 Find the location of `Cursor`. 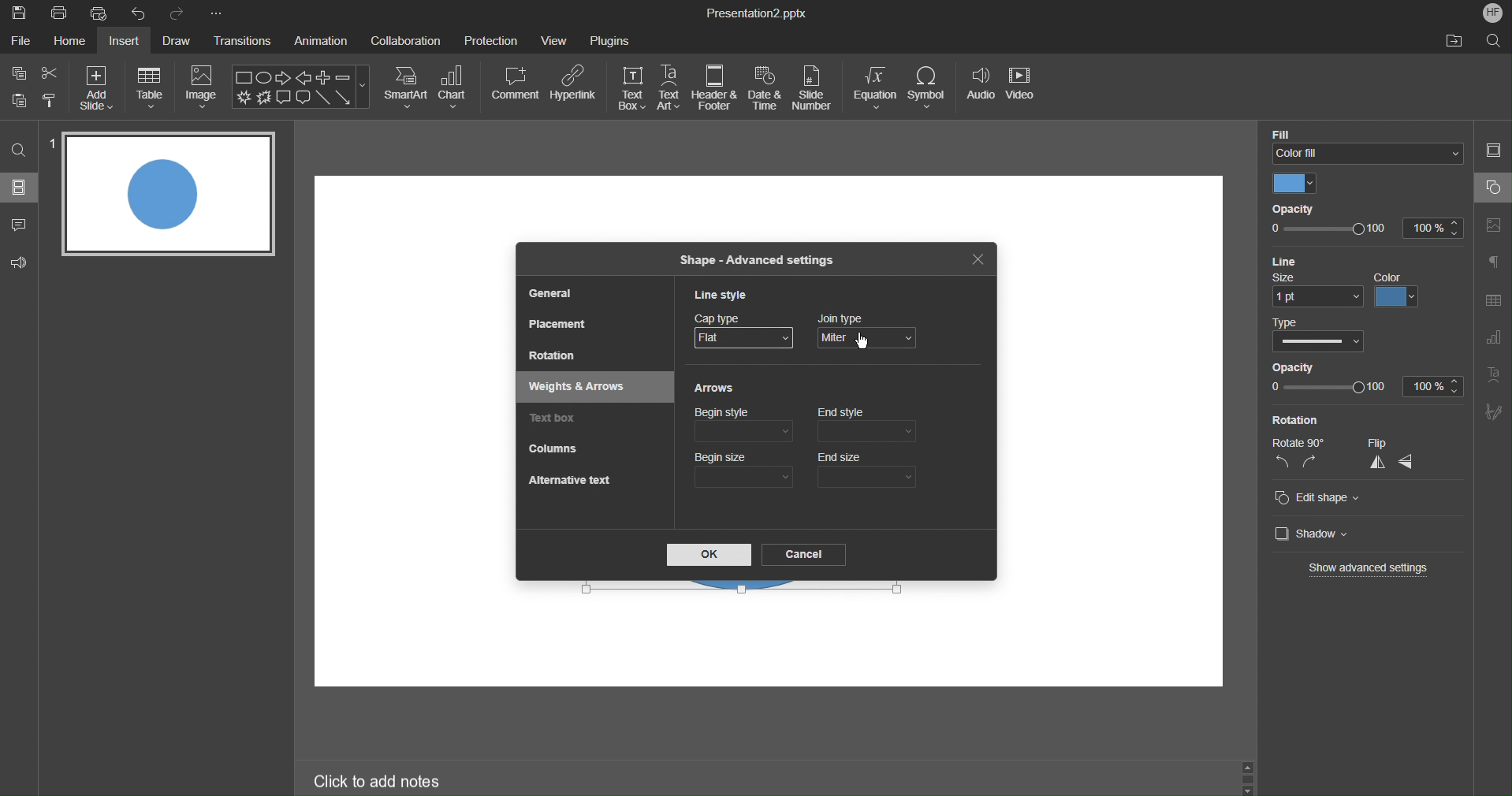

Cursor is located at coordinates (1373, 585).